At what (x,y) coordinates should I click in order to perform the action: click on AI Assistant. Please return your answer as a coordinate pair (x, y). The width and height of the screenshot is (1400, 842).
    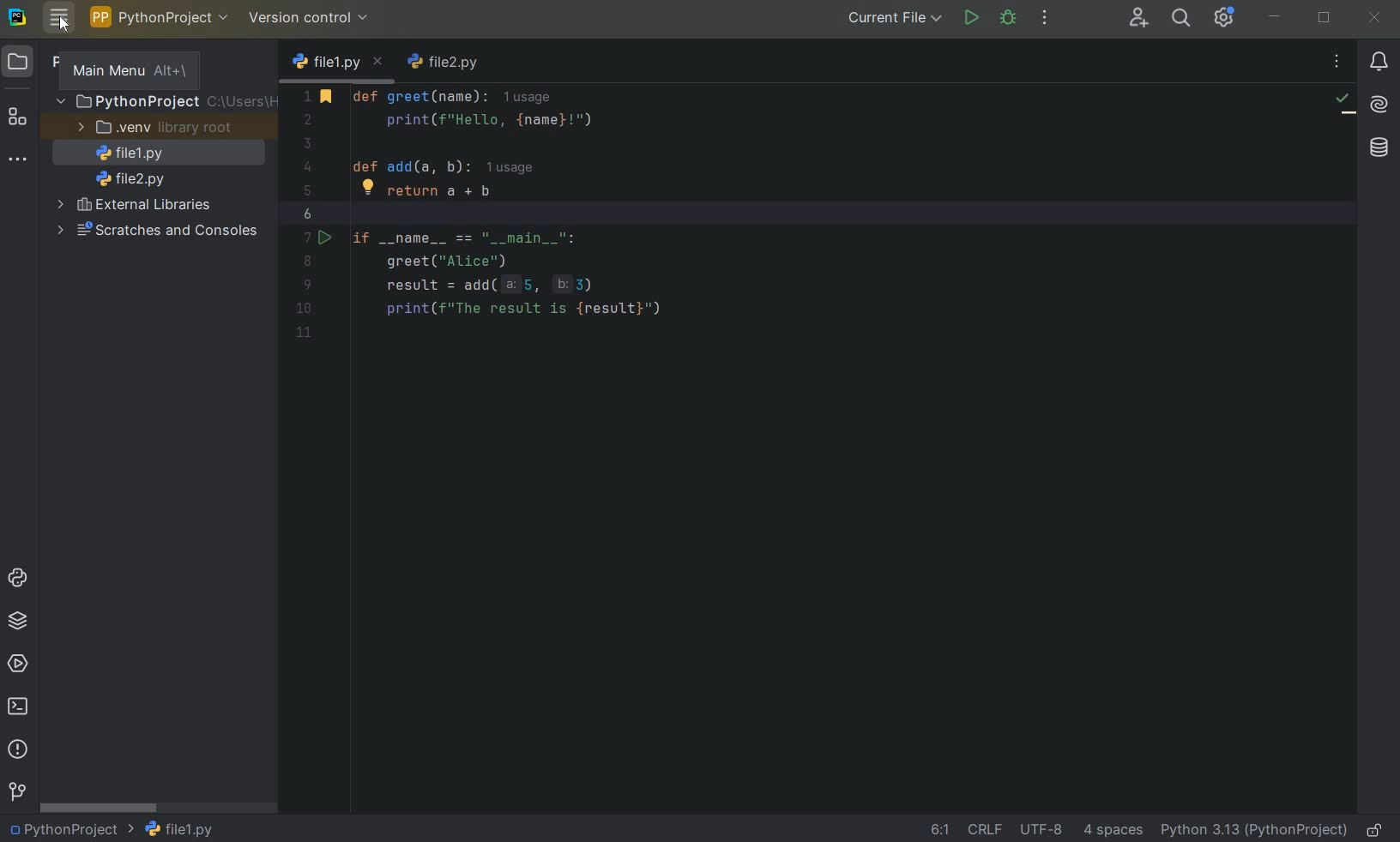
    Looking at the image, I should click on (1380, 106).